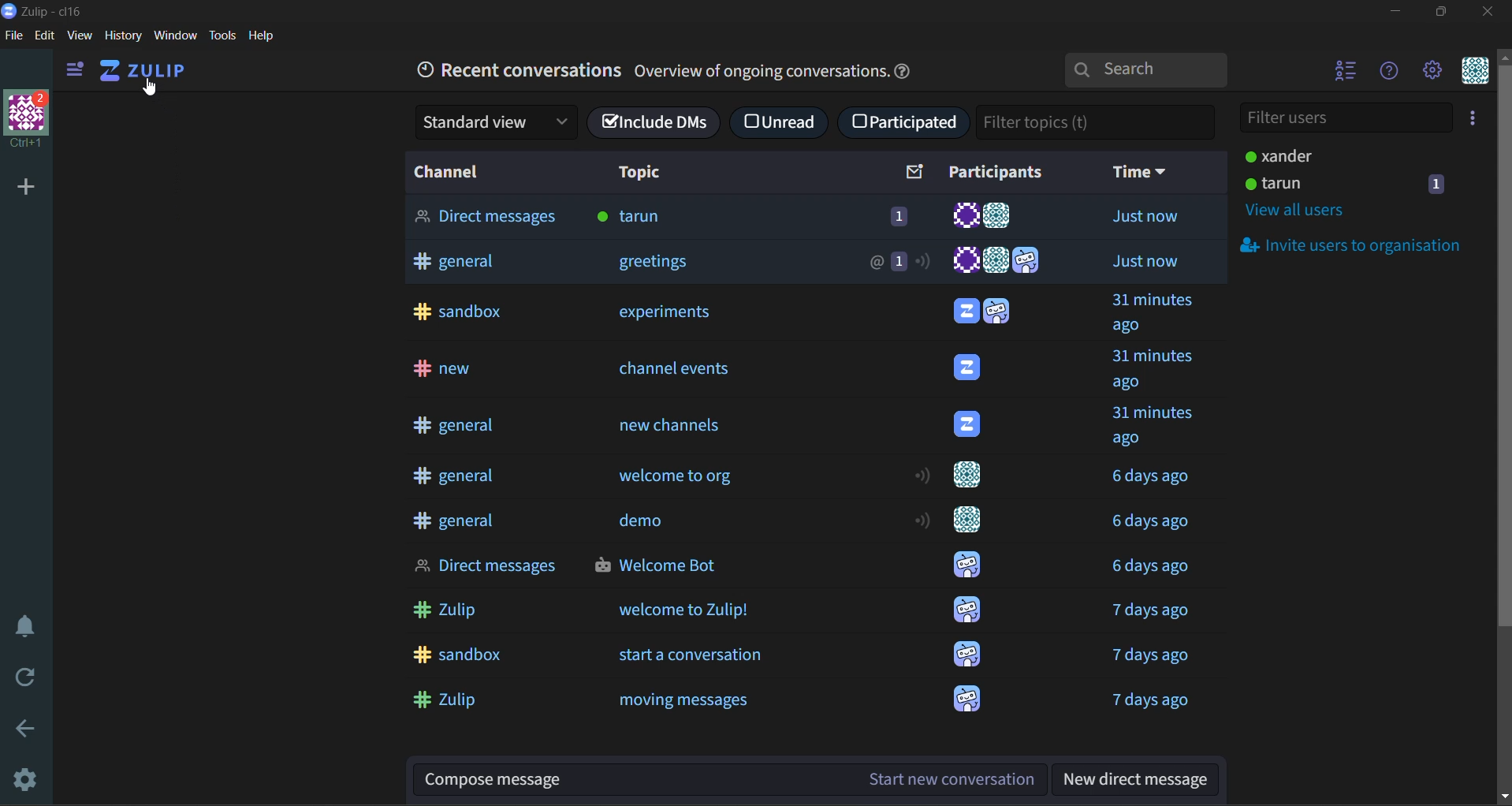 Image resolution: width=1512 pixels, height=806 pixels. Describe the element at coordinates (1150, 67) in the screenshot. I see `search` at that location.